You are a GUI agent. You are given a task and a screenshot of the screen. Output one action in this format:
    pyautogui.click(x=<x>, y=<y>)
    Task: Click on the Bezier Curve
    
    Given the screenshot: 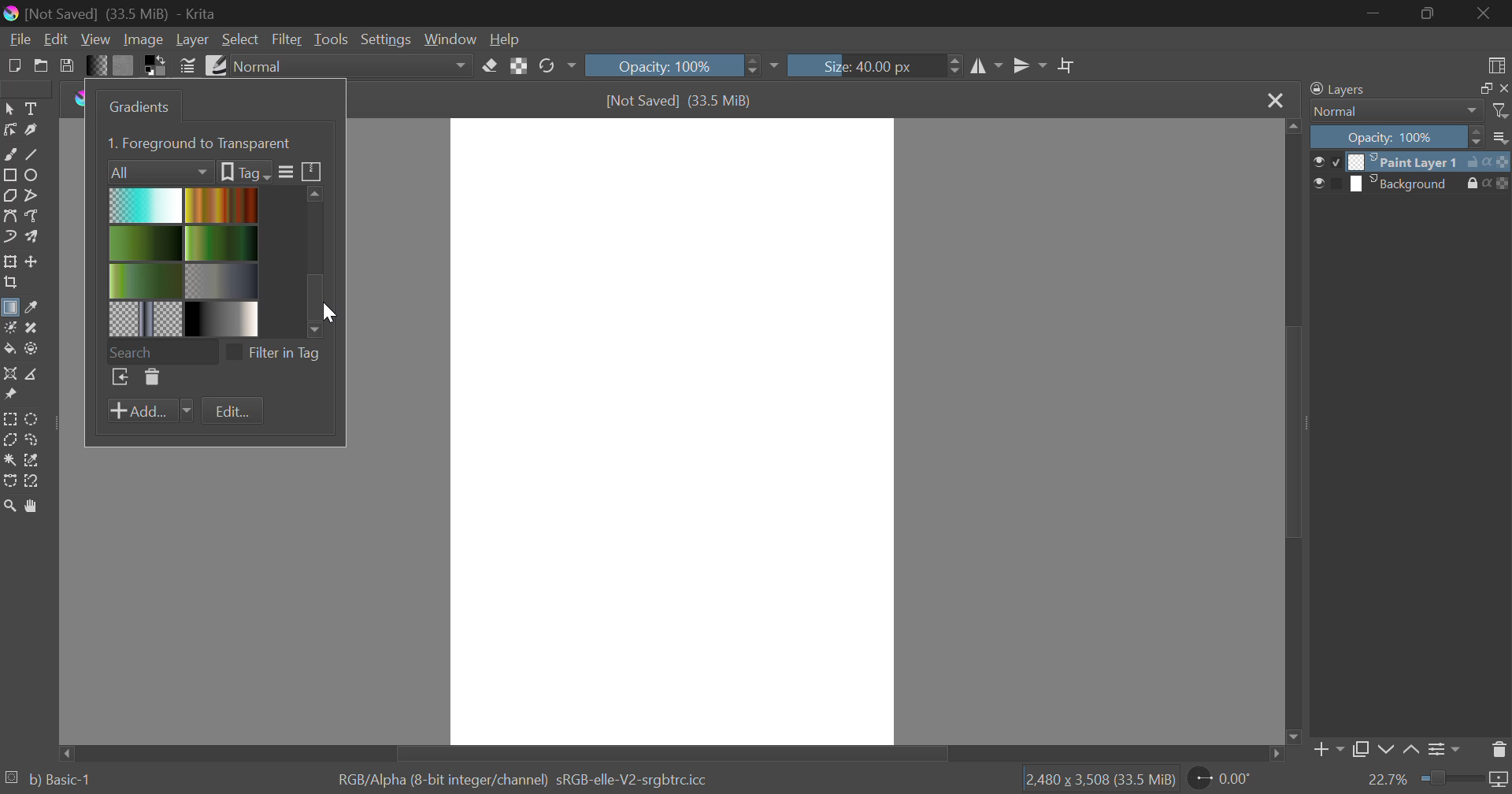 What is the action you would take?
    pyautogui.click(x=9, y=216)
    